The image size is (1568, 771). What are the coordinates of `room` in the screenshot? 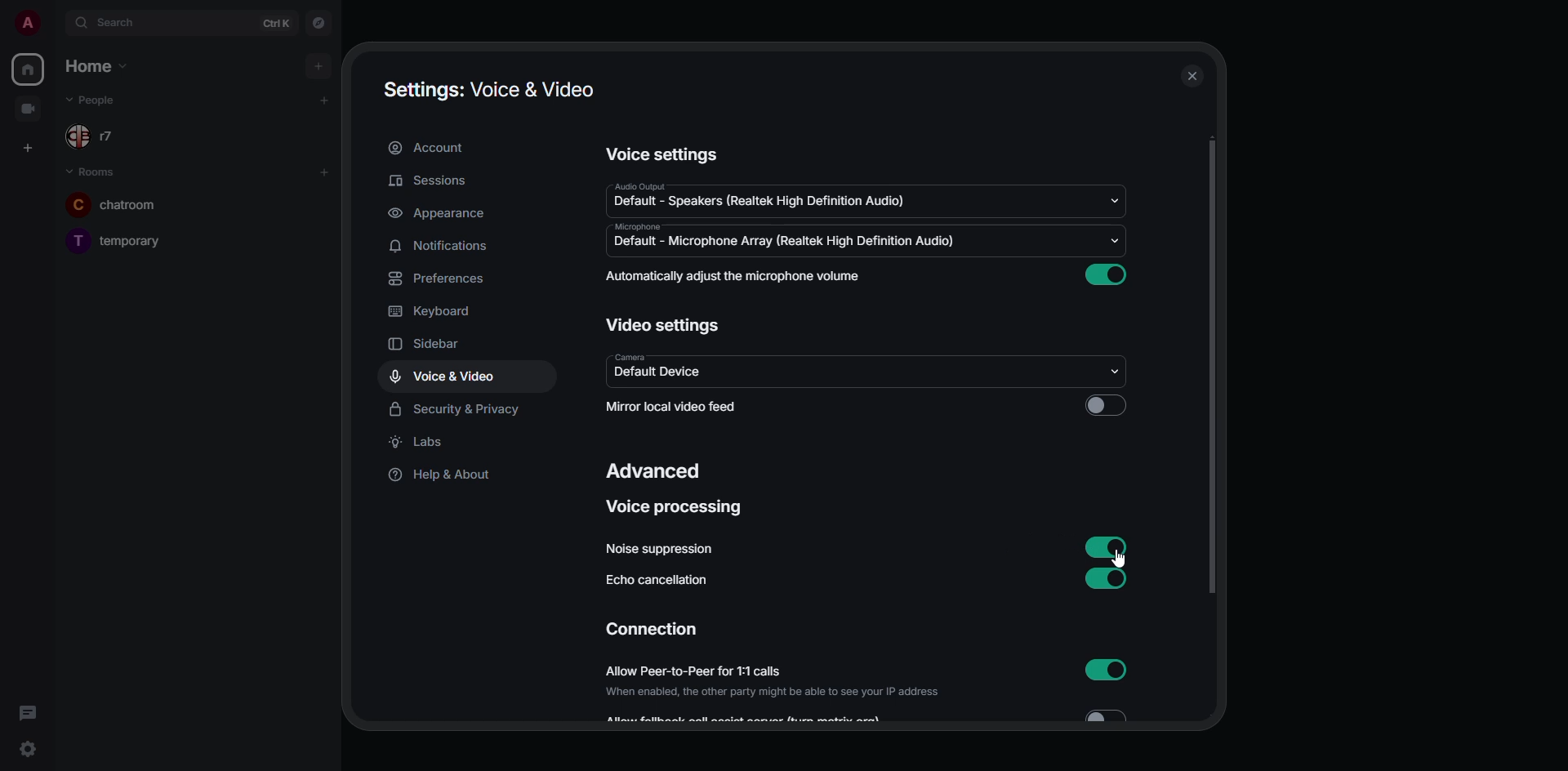 It's located at (111, 207).